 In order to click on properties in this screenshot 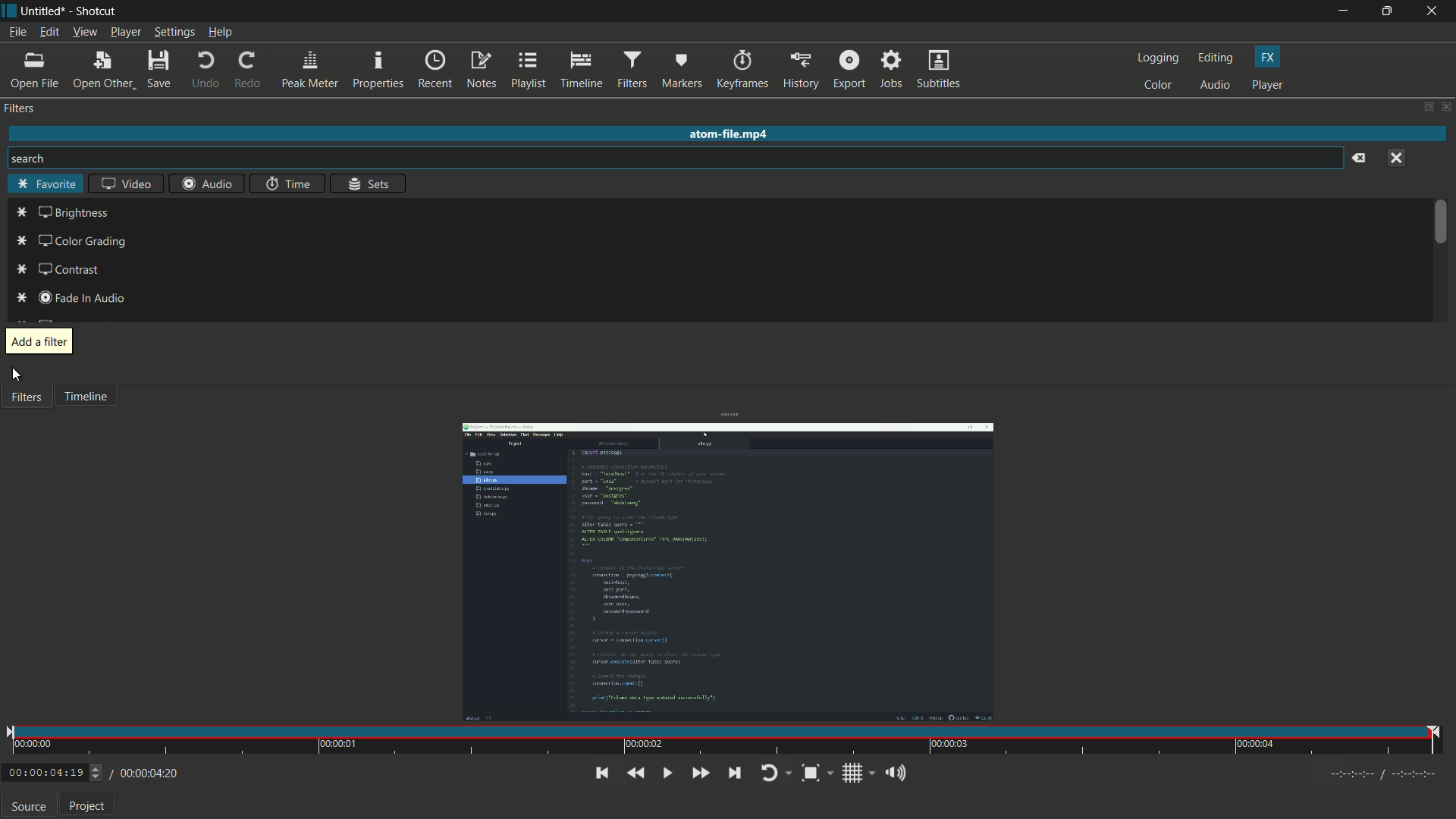, I will do `click(377, 71)`.